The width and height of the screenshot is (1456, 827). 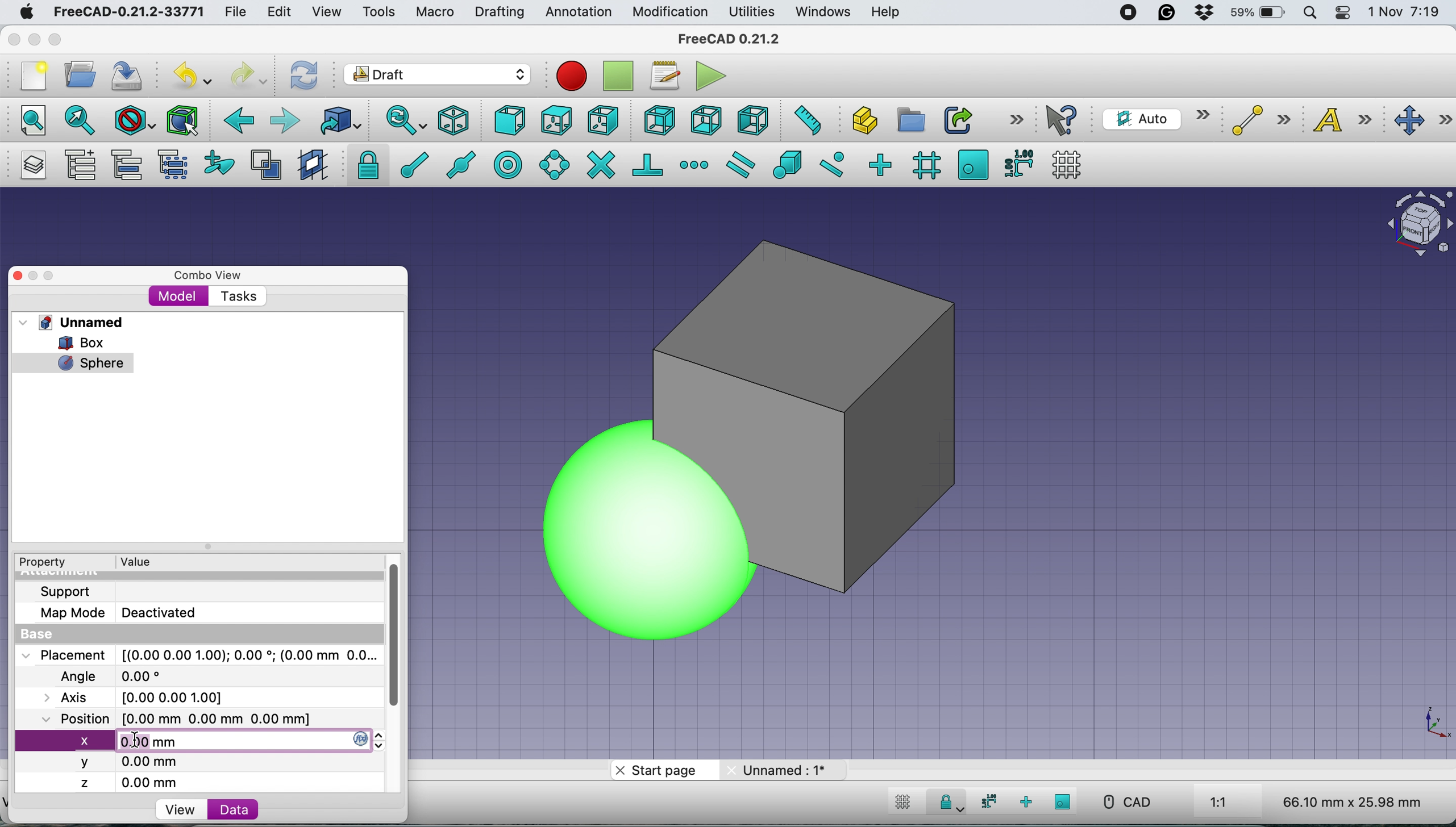 I want to click on z axis, so click(x=136, y=783).